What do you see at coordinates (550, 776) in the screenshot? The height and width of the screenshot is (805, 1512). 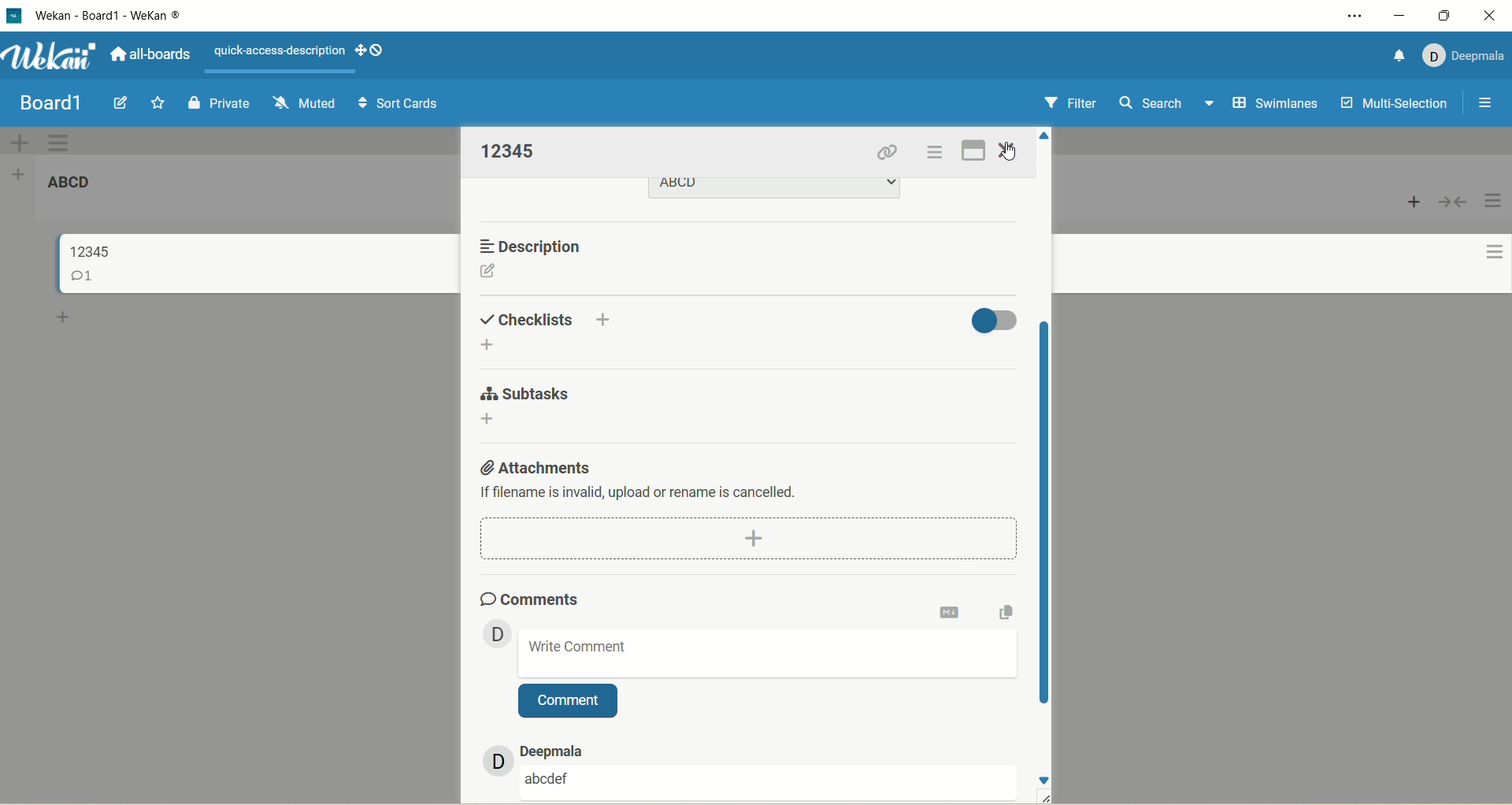 I see `comment` at bounding box center [550, 776].